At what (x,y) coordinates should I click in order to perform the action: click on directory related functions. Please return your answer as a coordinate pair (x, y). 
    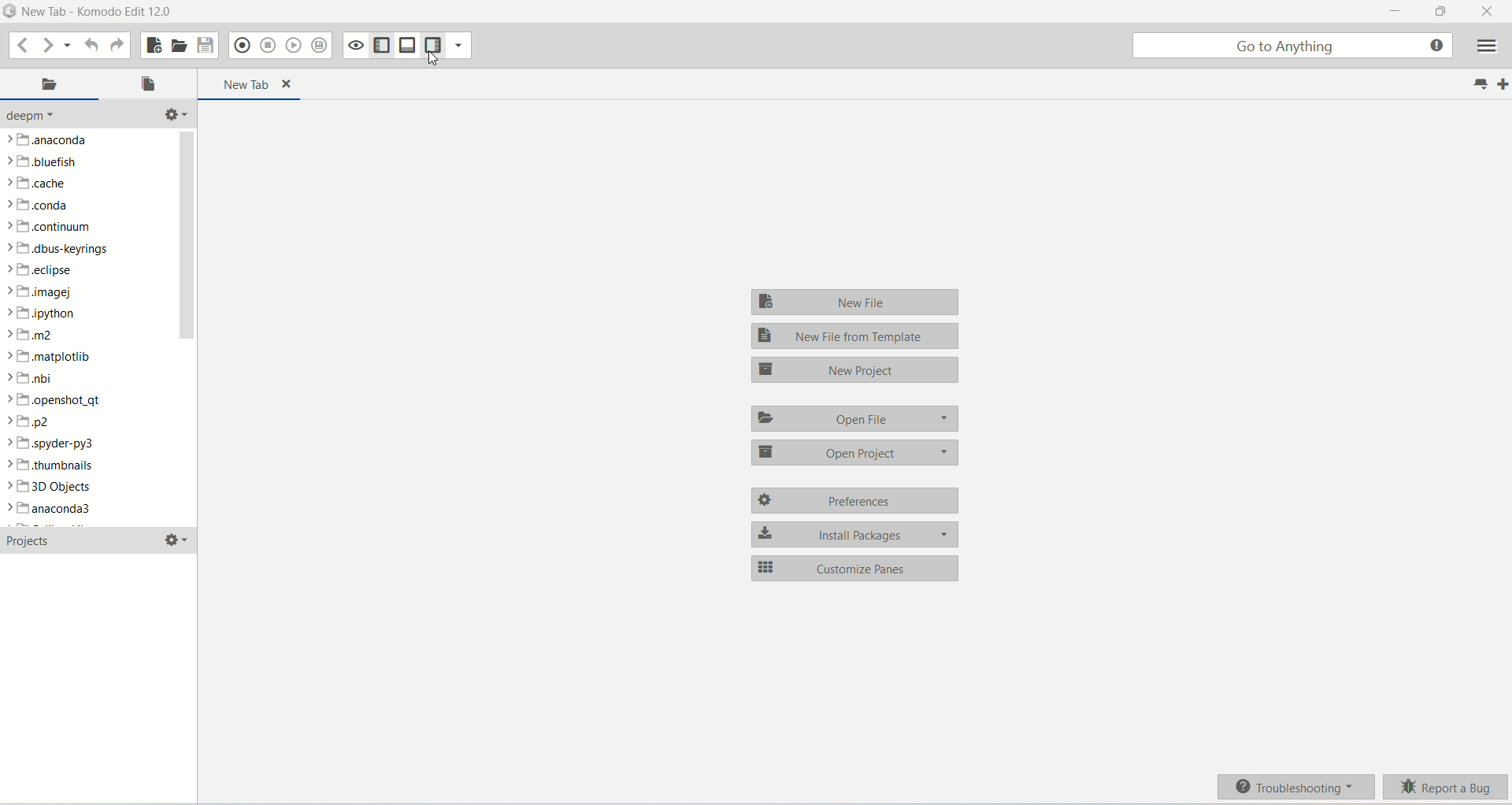
    Looking at the image, I should click on (173, 116).